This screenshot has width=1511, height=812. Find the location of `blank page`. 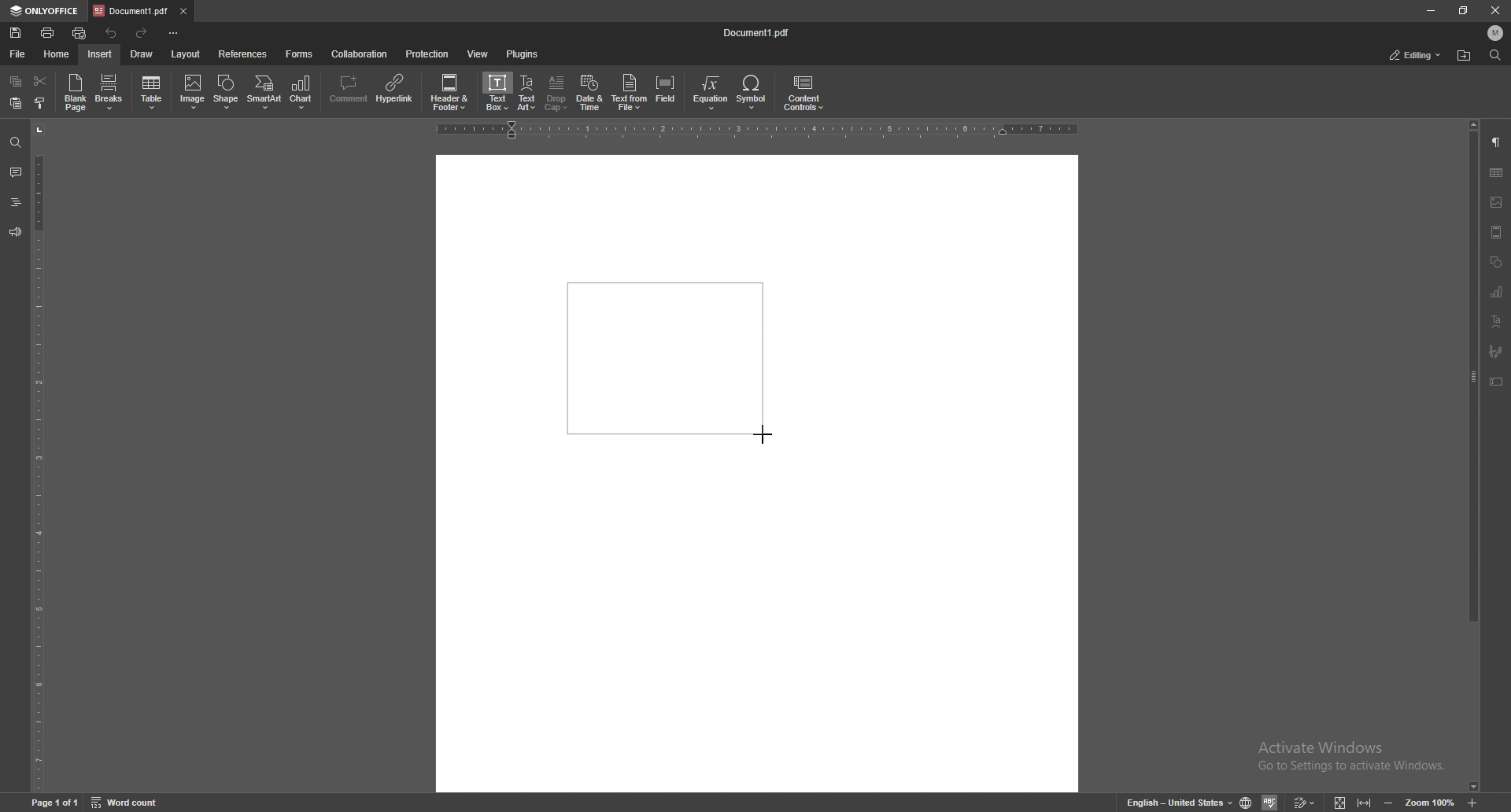

blank page is located at coordinates (75, 92).